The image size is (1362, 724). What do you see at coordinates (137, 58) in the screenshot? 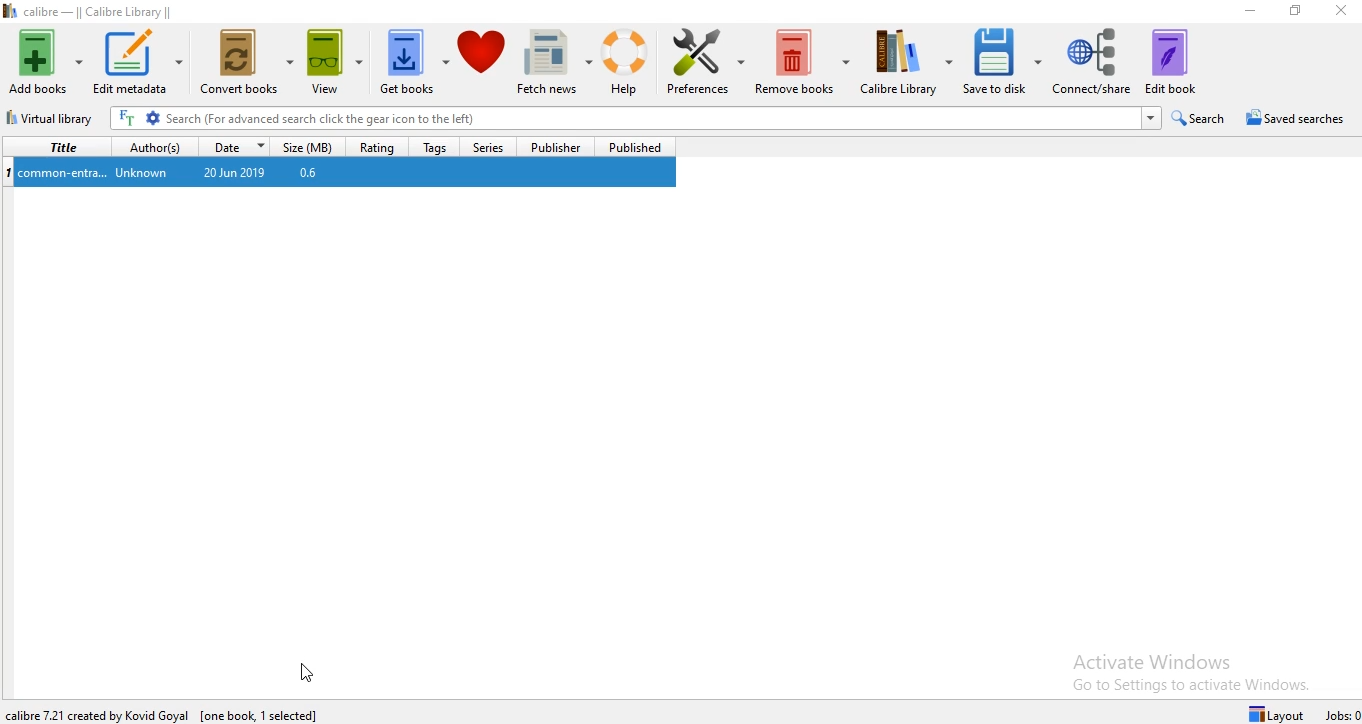
I see `Edit Metadata` at bounding box center [137, 58].